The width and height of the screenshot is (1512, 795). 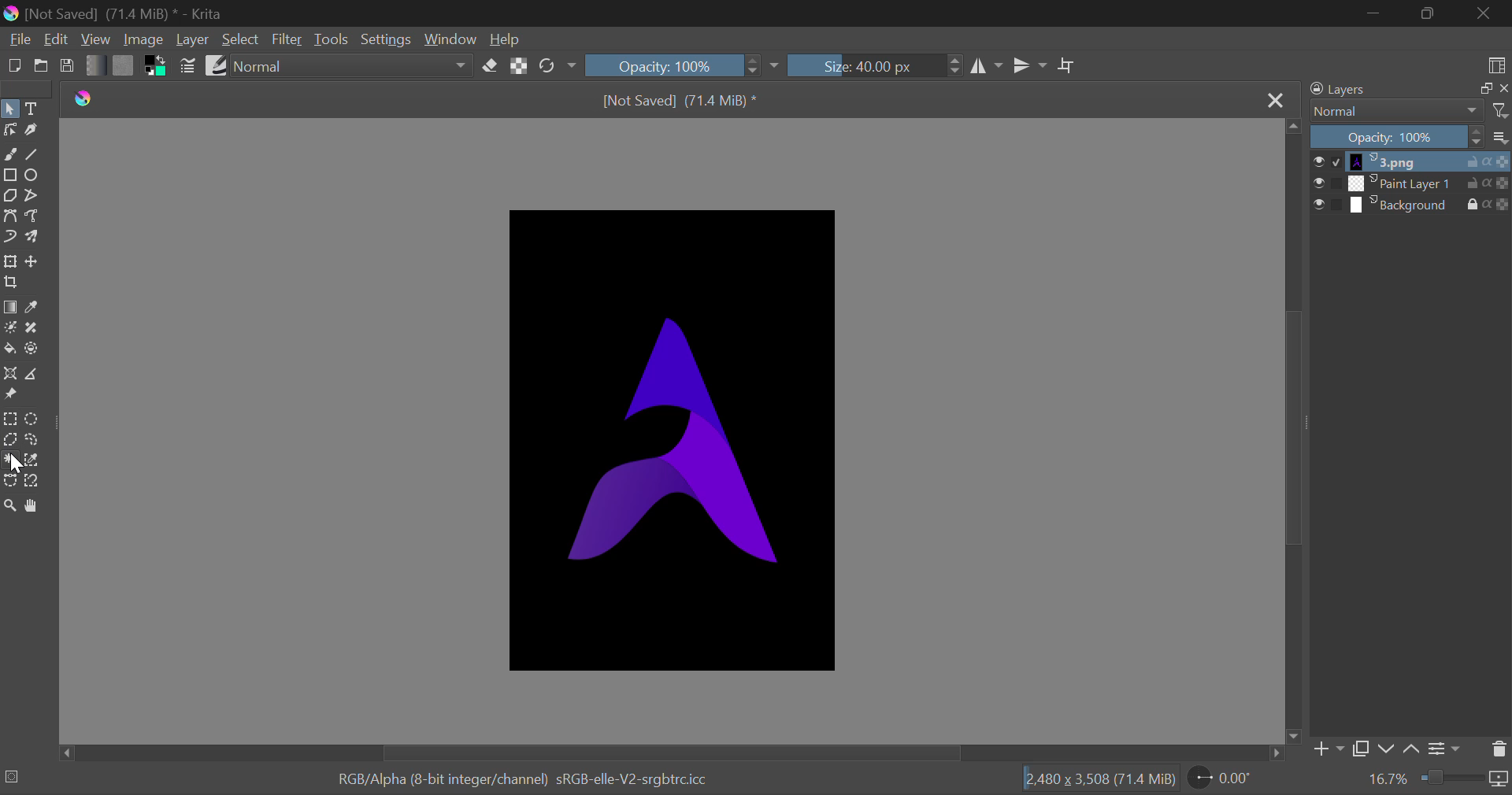 I want to click on Opacity, so click(x=1395, y=138).